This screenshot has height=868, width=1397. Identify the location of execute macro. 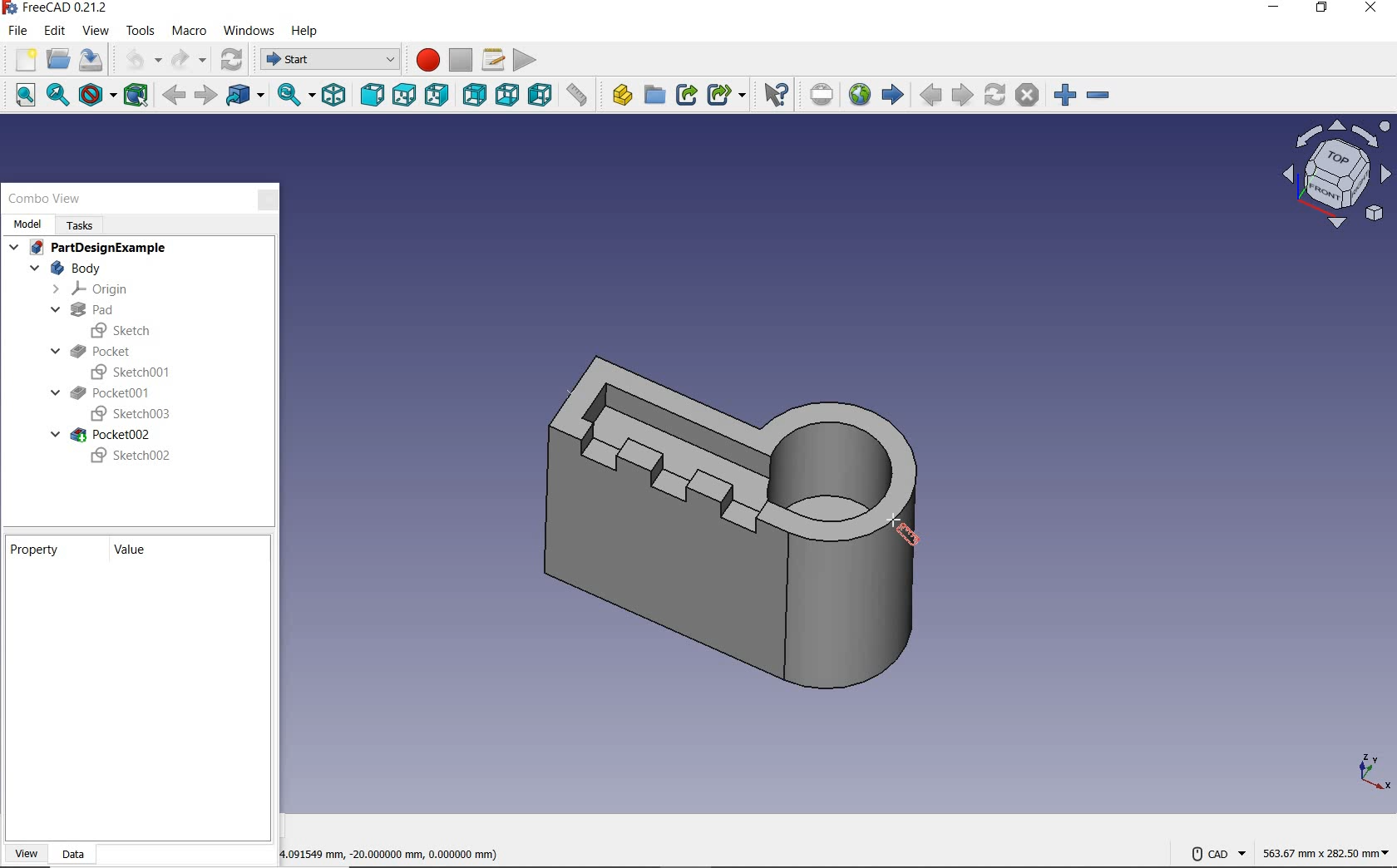
(526, 60).